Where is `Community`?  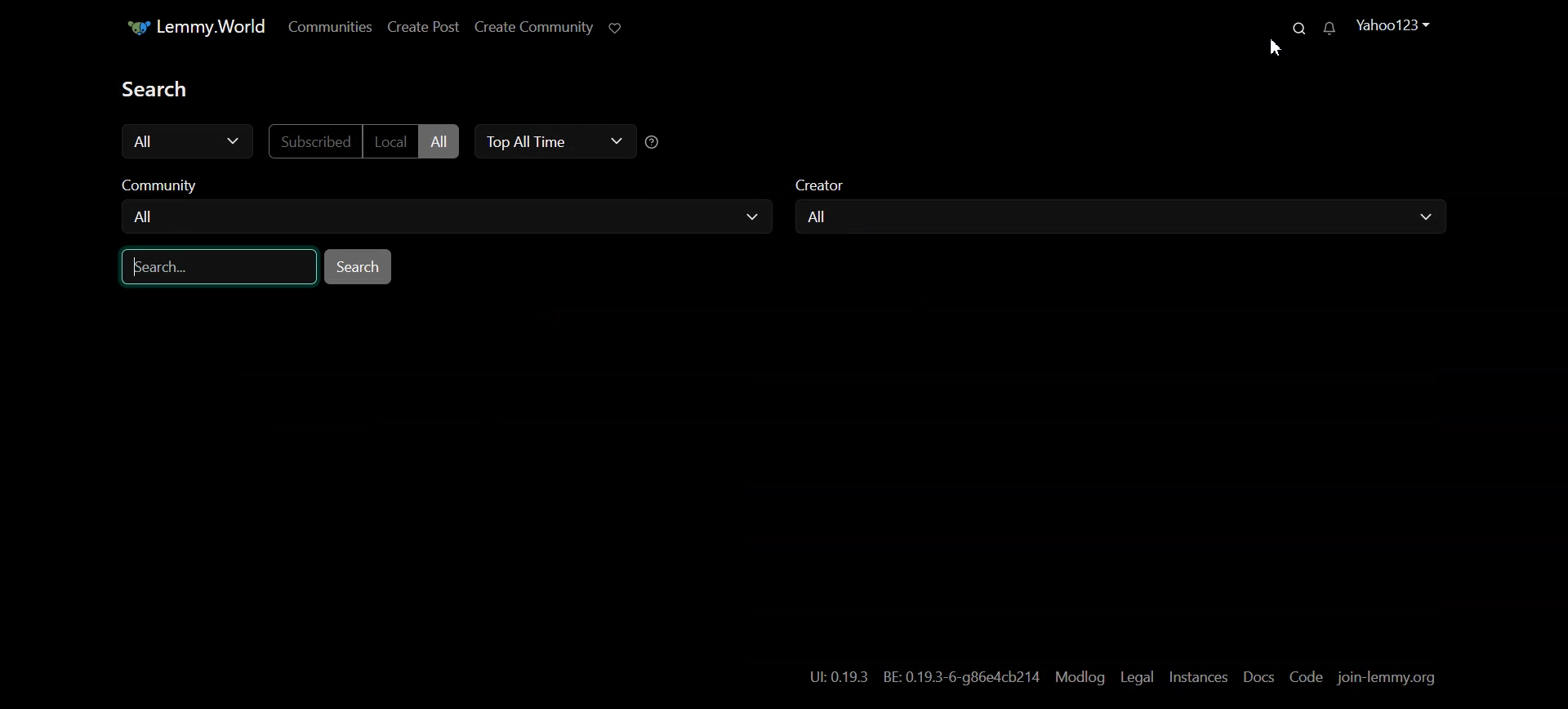
Community is located at coordinates (171, 185).